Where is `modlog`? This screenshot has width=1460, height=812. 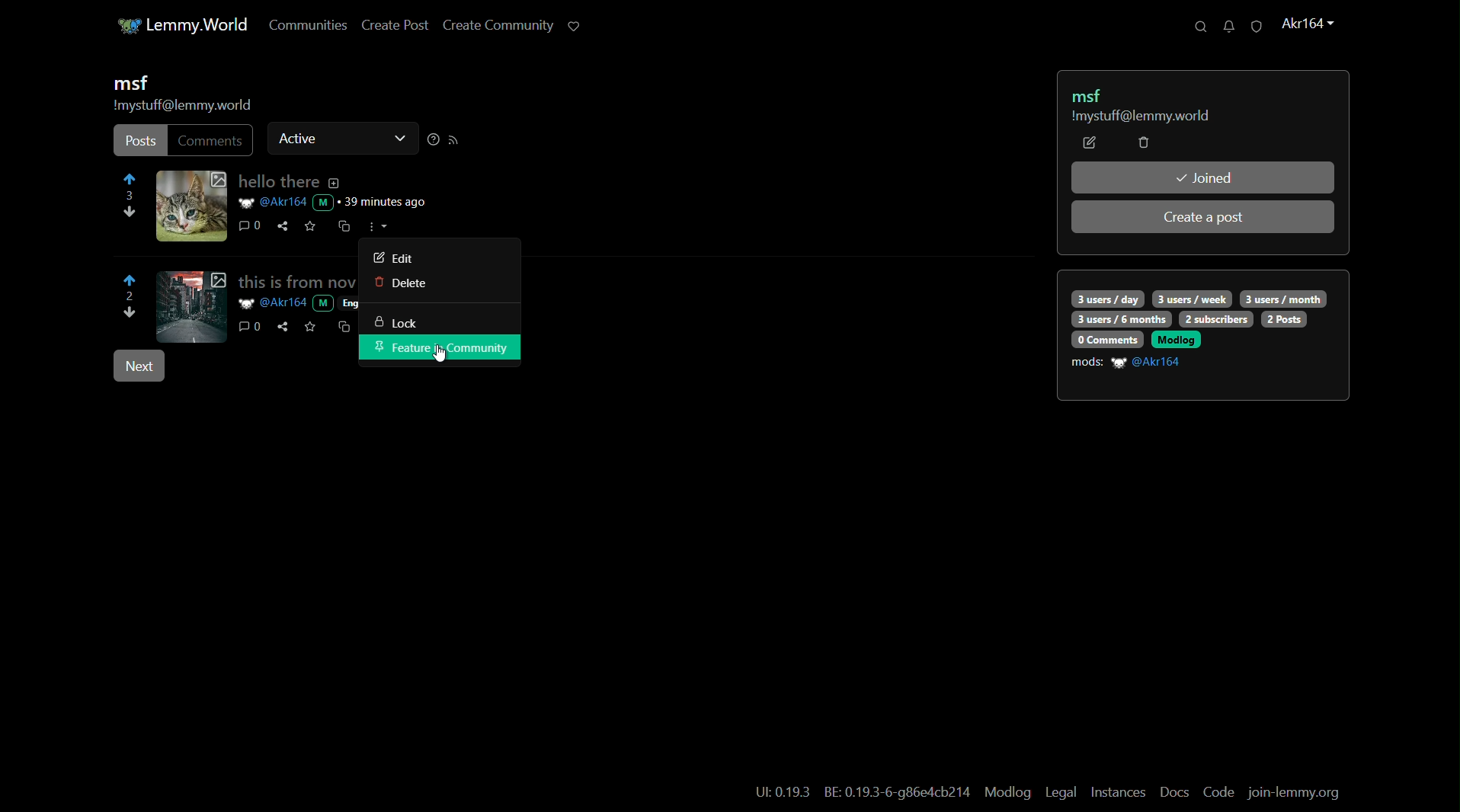
modlog is located at coordinates (1006, 791).